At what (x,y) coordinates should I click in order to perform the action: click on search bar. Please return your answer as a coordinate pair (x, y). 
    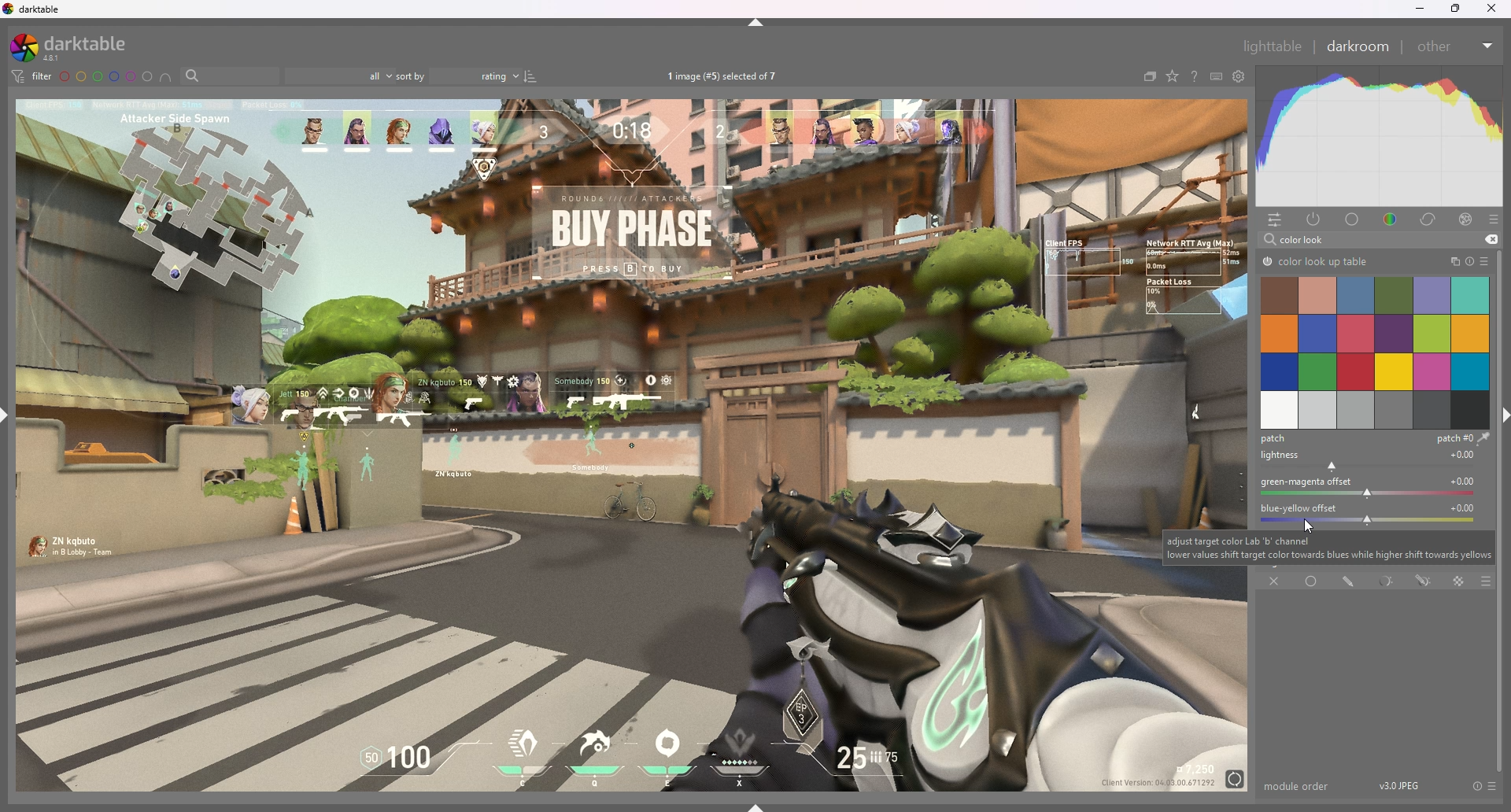
    Looking at the image, I should click on (227, 76).